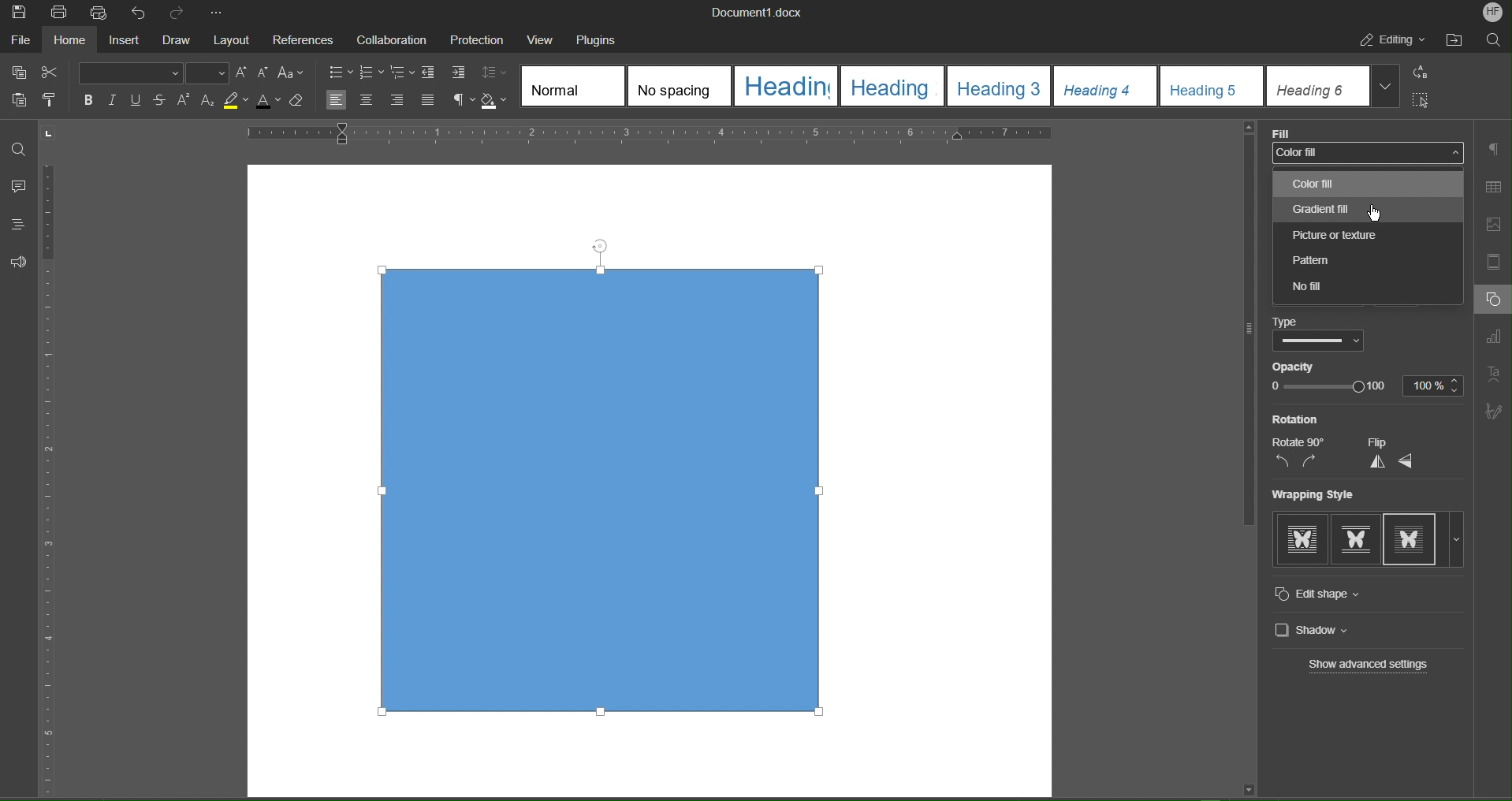 Image resolution: width=1512 pixels, height=801 pixels. Describe the element at coordinates (1497, 337) in the screenshot. I see `Graph Settings` at that location.